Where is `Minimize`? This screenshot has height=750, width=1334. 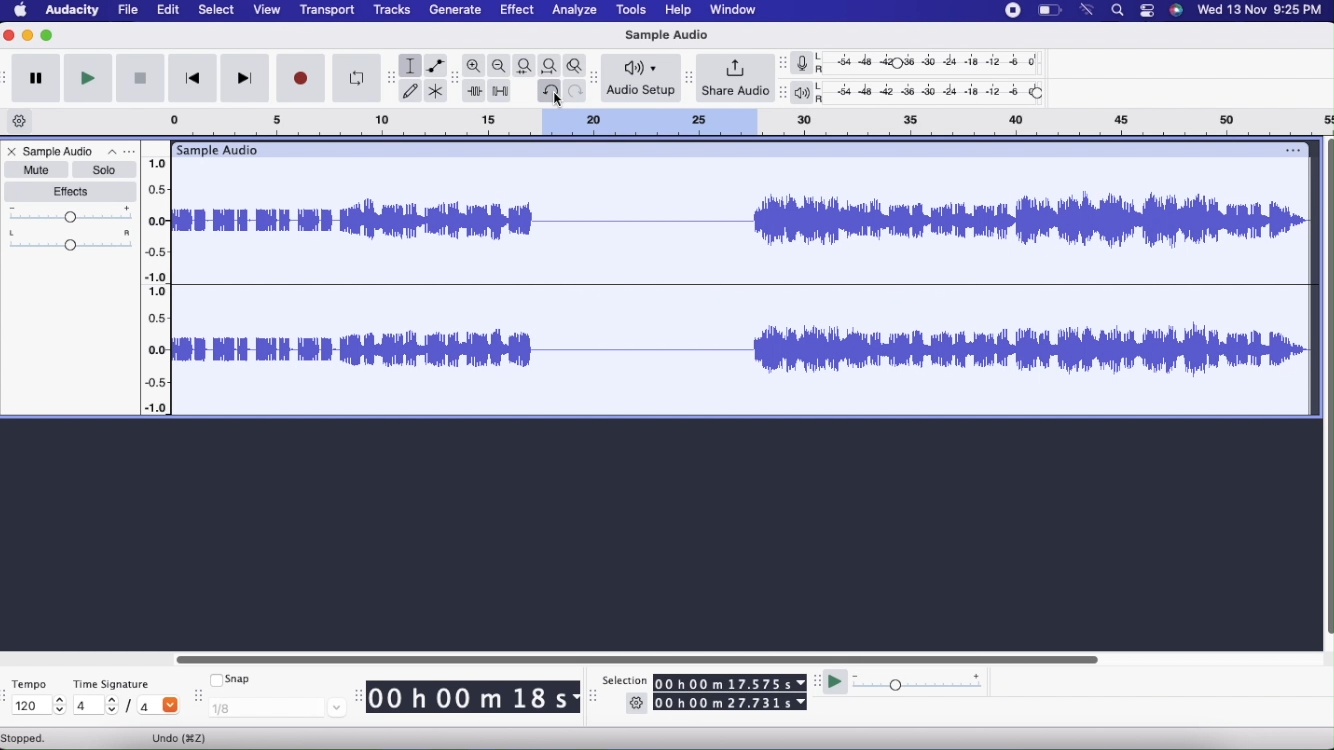 Minimize is located at coordinates (29, 36).